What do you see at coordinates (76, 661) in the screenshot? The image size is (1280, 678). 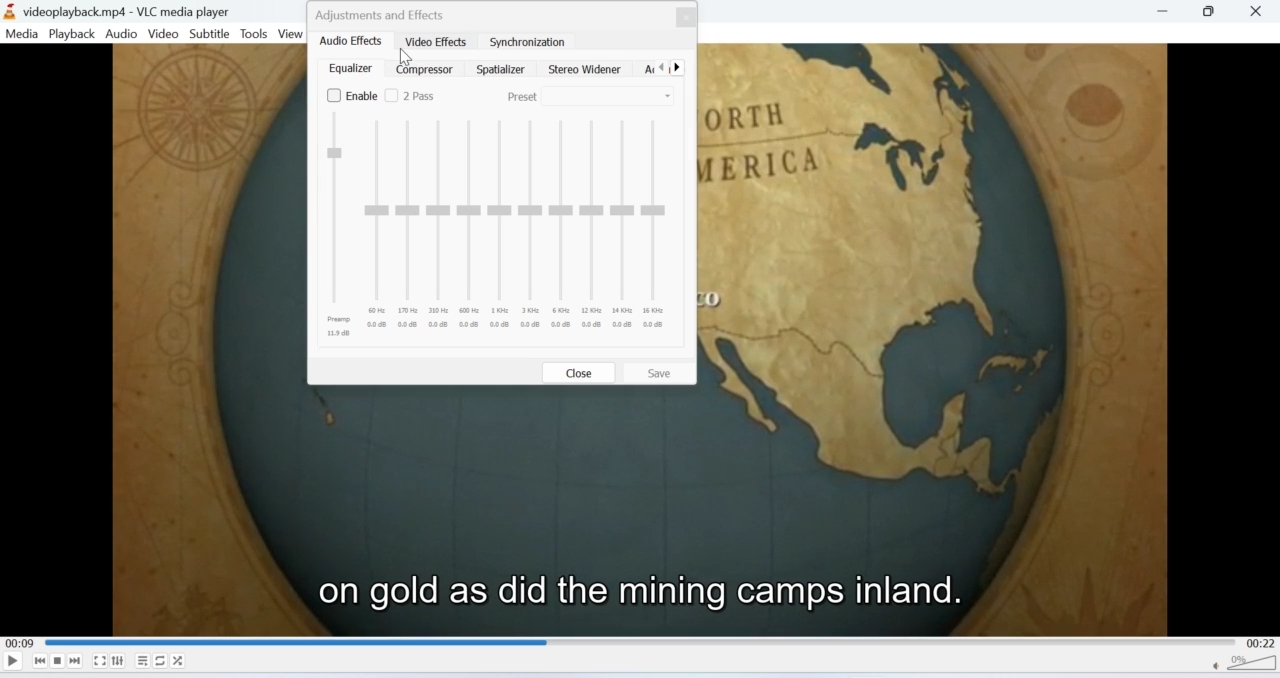 I see `Seek forward` at bounding box center [76, 661].